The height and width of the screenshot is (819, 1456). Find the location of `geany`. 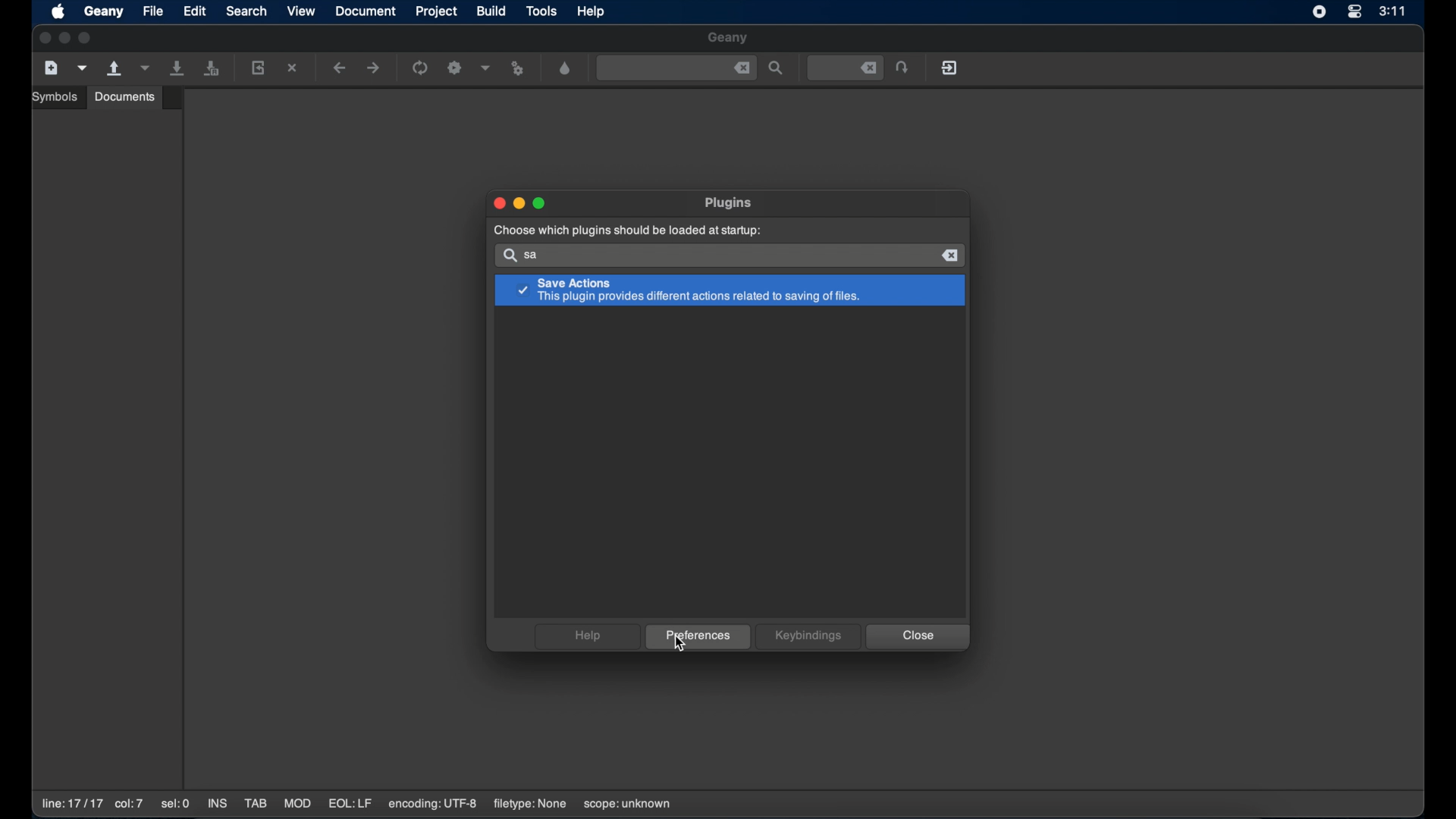

geany is located at coordinates (104, 12).